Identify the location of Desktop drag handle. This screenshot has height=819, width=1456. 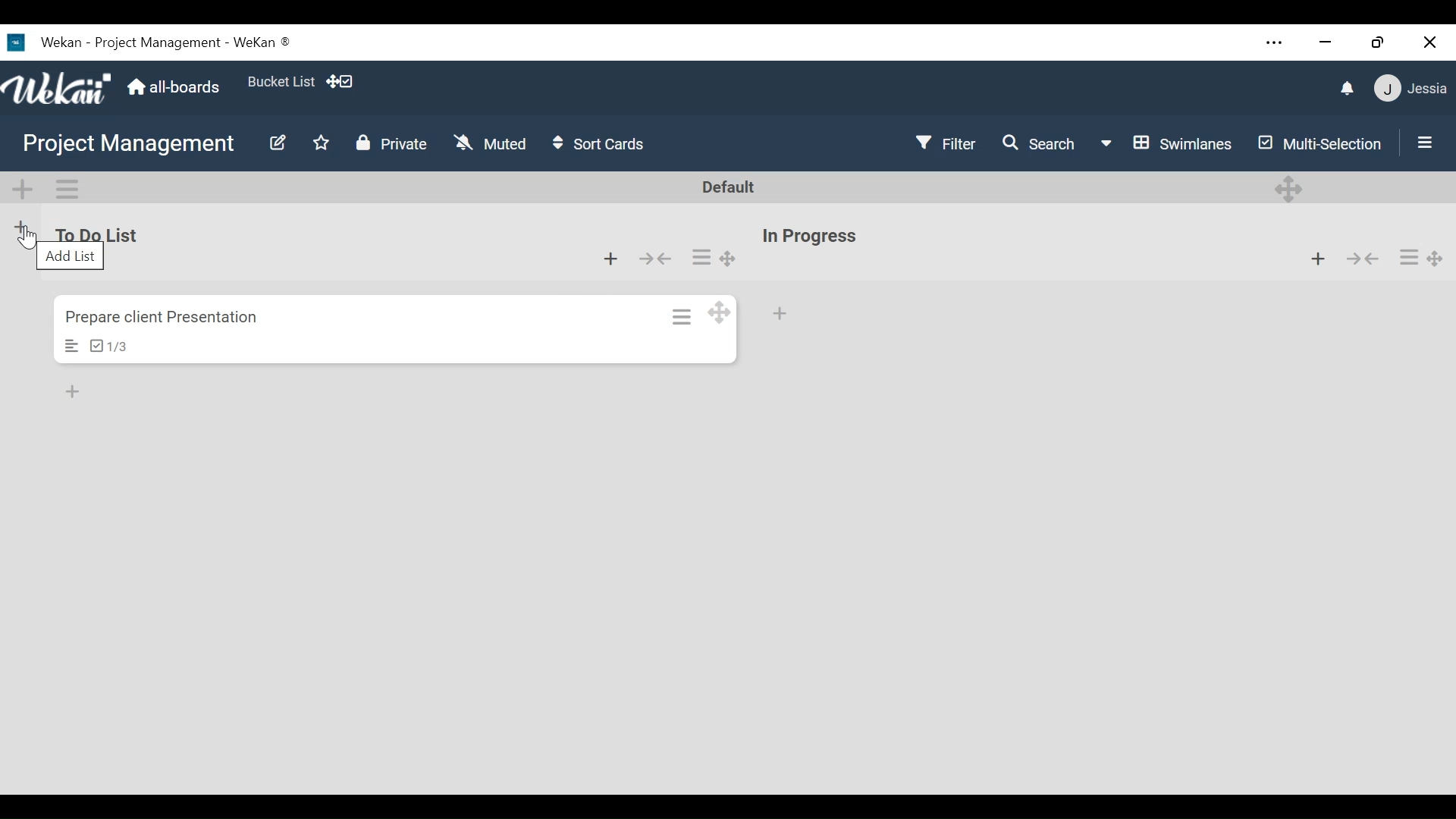
(727, 259).